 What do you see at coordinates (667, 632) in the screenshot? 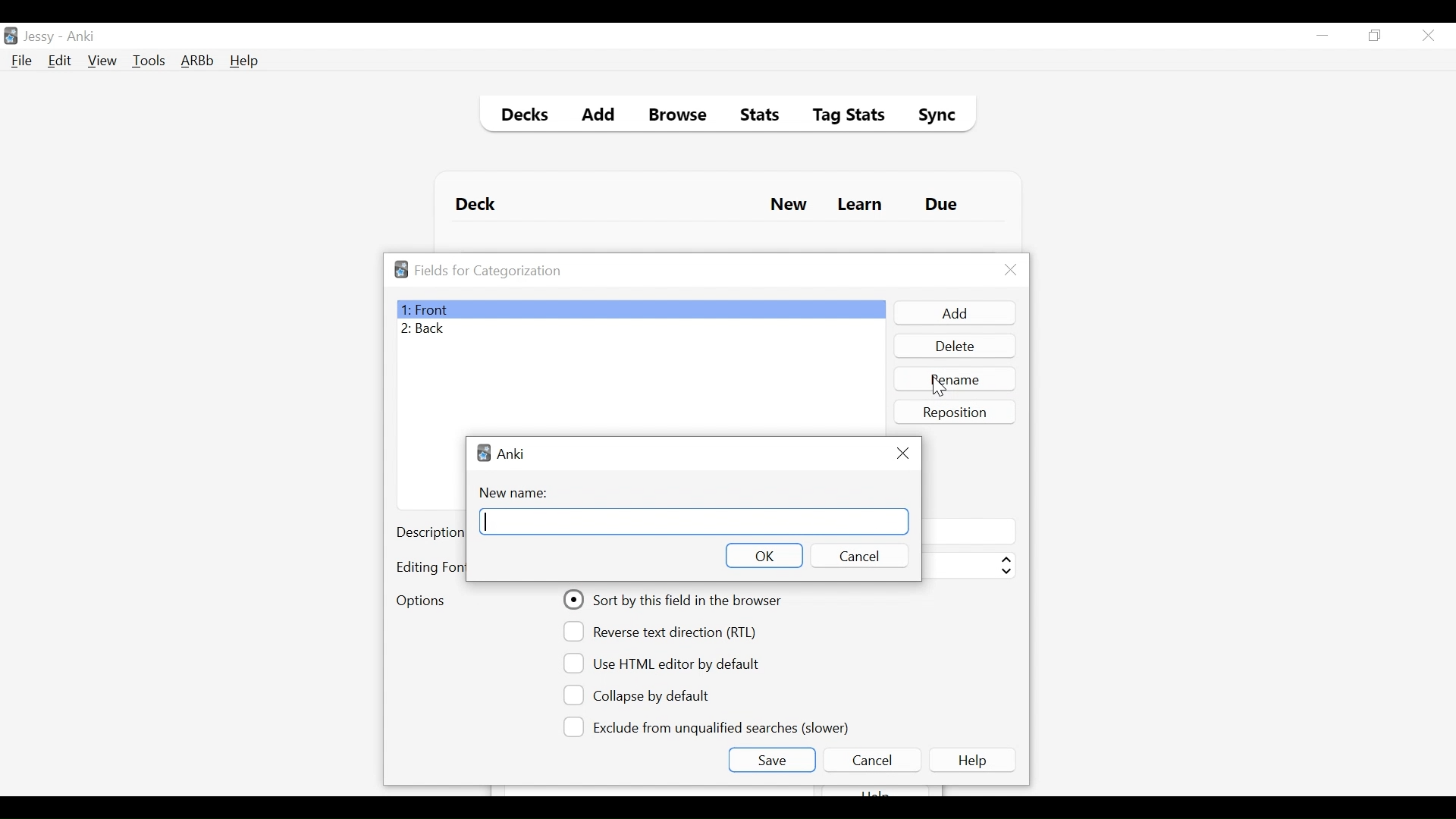
I see `(un)select RTL` at bounding box center [667, 632].